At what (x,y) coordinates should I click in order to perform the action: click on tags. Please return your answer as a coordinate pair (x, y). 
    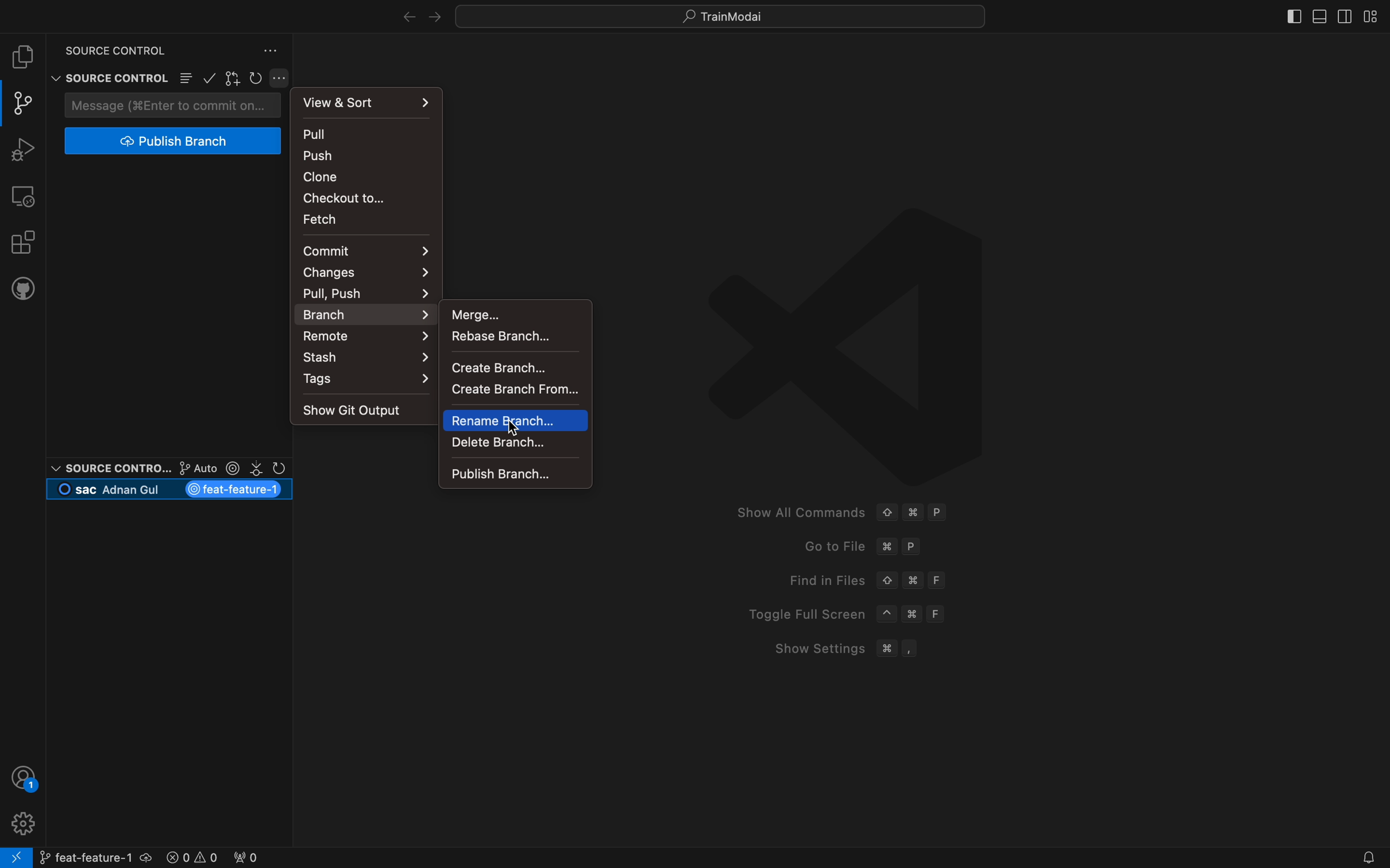
    Looking at the image, I should click on (365, 379).